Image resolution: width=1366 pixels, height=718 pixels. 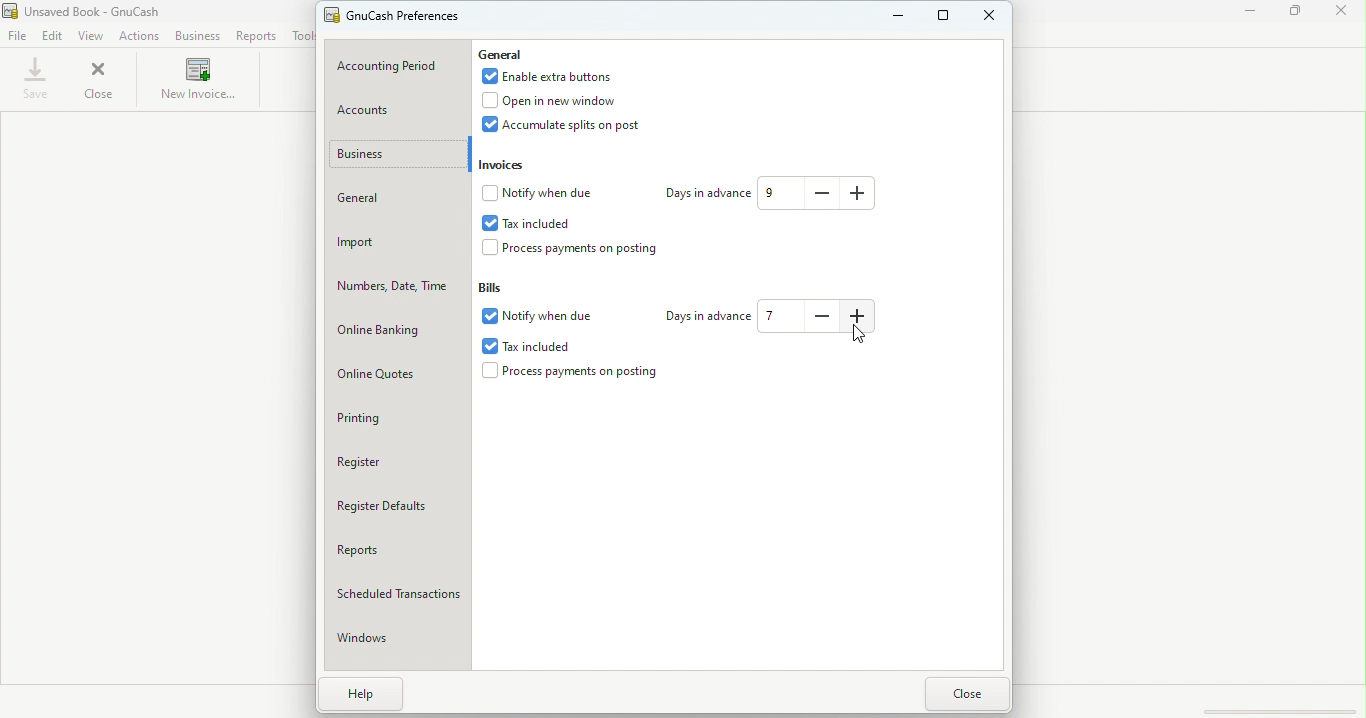 I want to click on File name, so click(x=105, y=11).